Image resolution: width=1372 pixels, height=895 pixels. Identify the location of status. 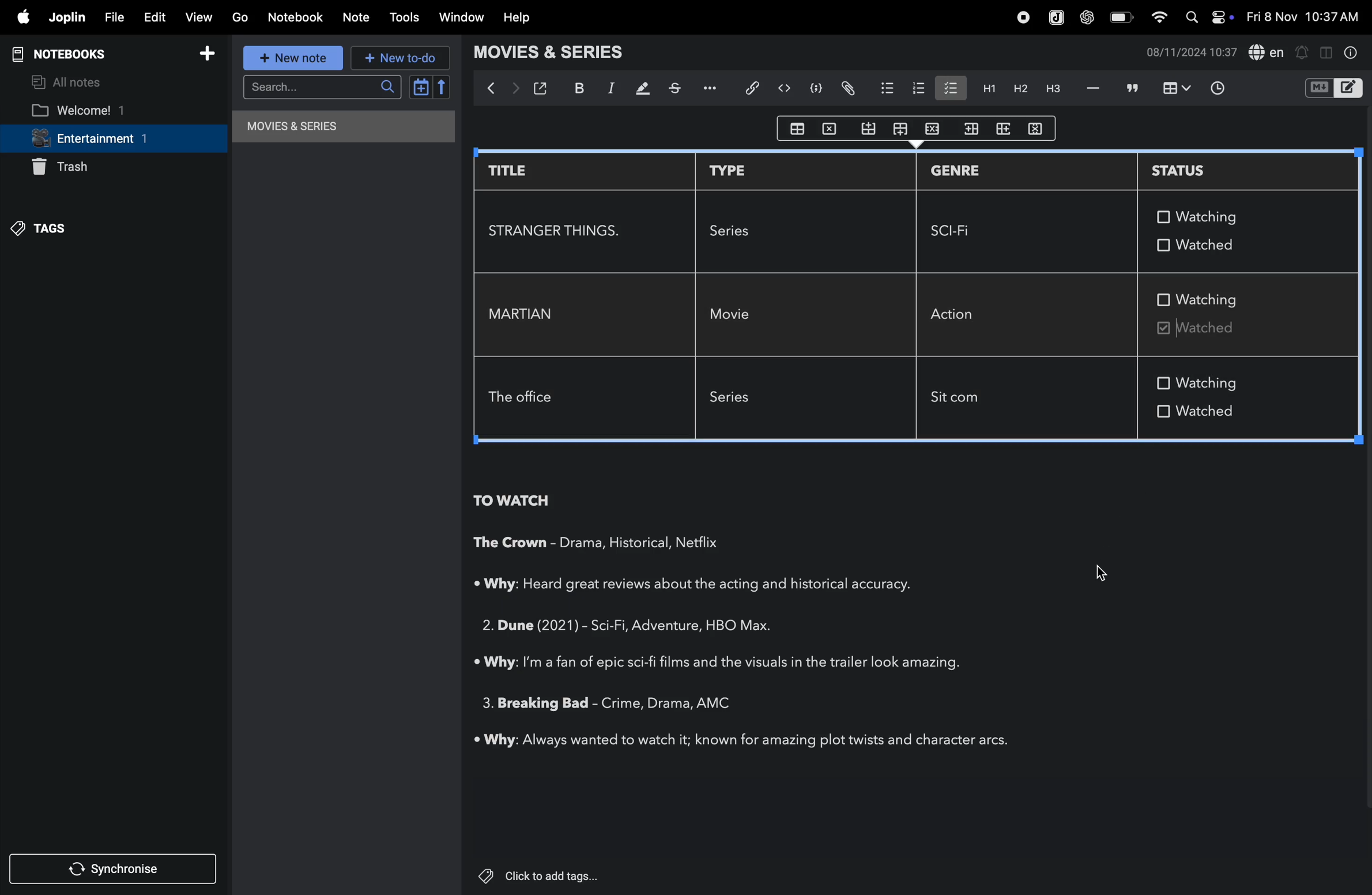
(1199, 170).